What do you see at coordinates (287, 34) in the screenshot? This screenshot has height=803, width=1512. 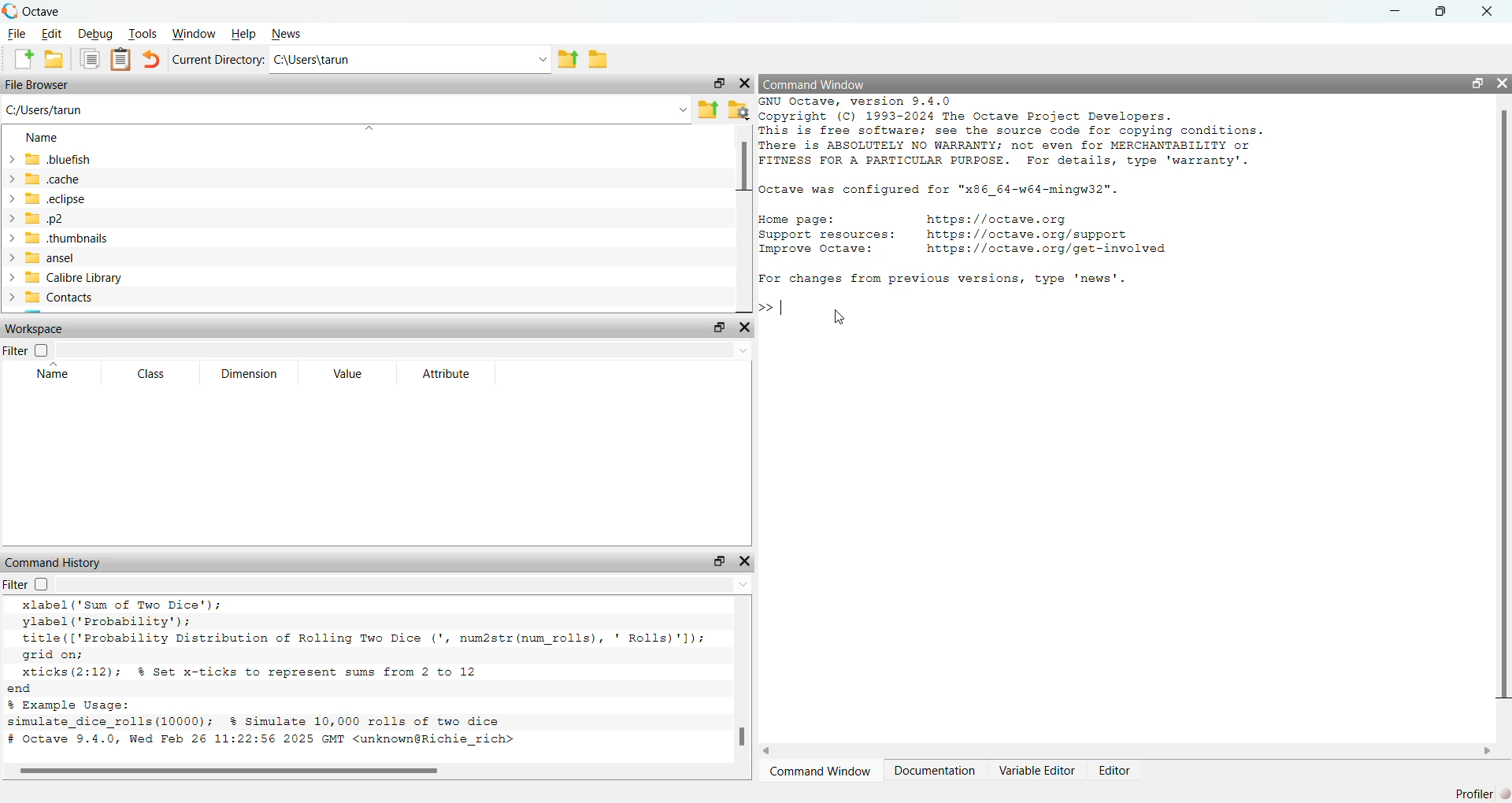 I see `News` at bounding box center [287, 34].